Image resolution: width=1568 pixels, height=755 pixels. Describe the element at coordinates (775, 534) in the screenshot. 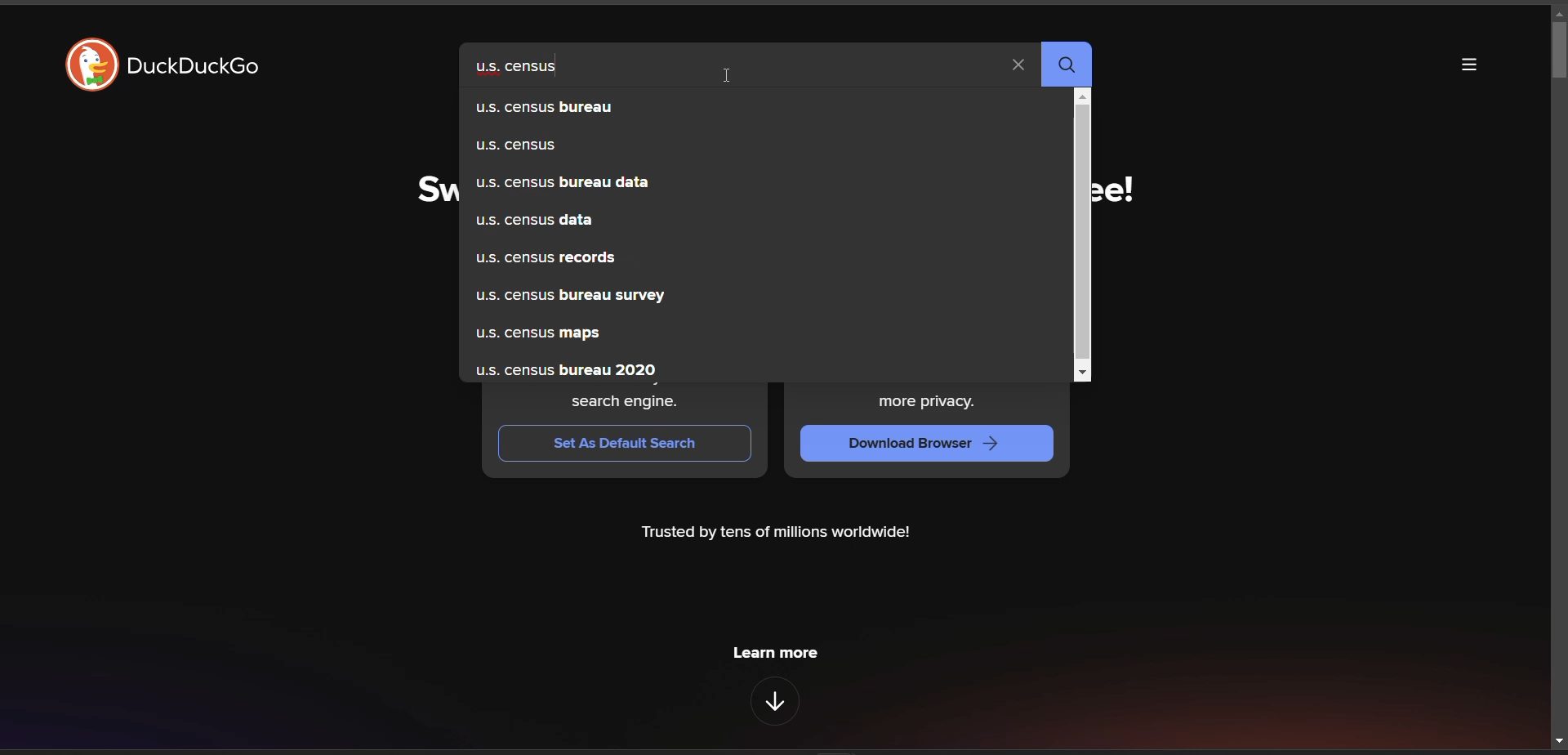

I see `Trusted by tens of millions worldwide!` at that location.